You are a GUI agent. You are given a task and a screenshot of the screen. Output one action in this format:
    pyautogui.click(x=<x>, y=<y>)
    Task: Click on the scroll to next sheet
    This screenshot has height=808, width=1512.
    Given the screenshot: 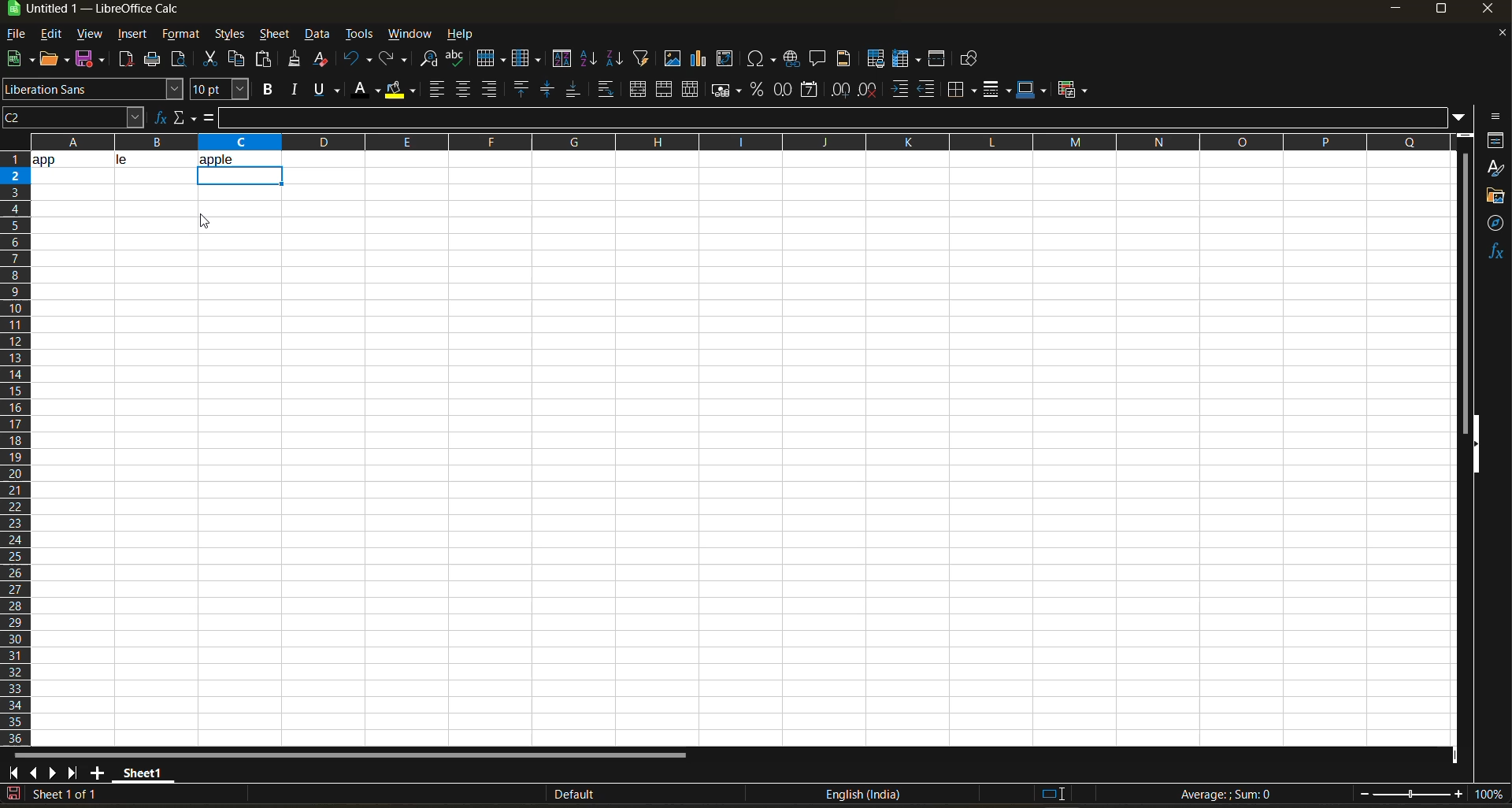 What is the action you would take?
    pyautogui.click(x=51, y=773)
    